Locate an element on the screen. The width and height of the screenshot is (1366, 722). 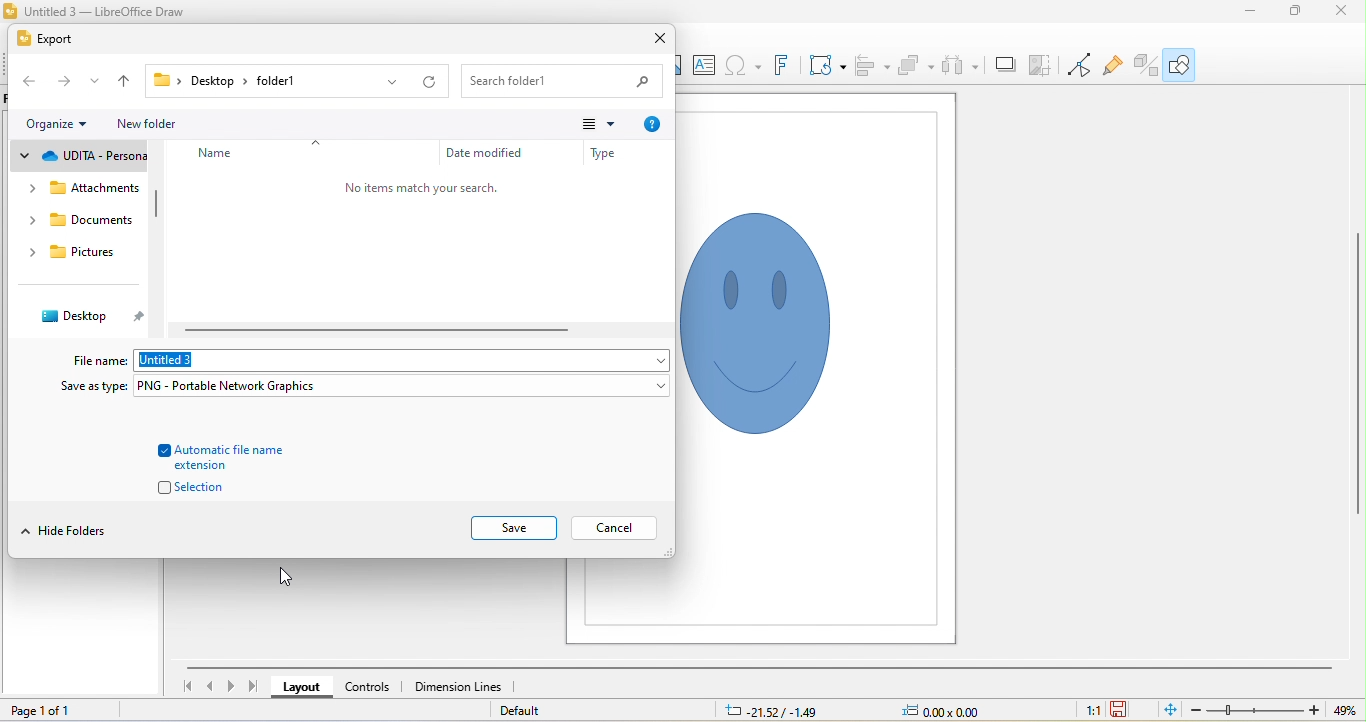
show gluepoint functions is located at coordinates (1112, 69).